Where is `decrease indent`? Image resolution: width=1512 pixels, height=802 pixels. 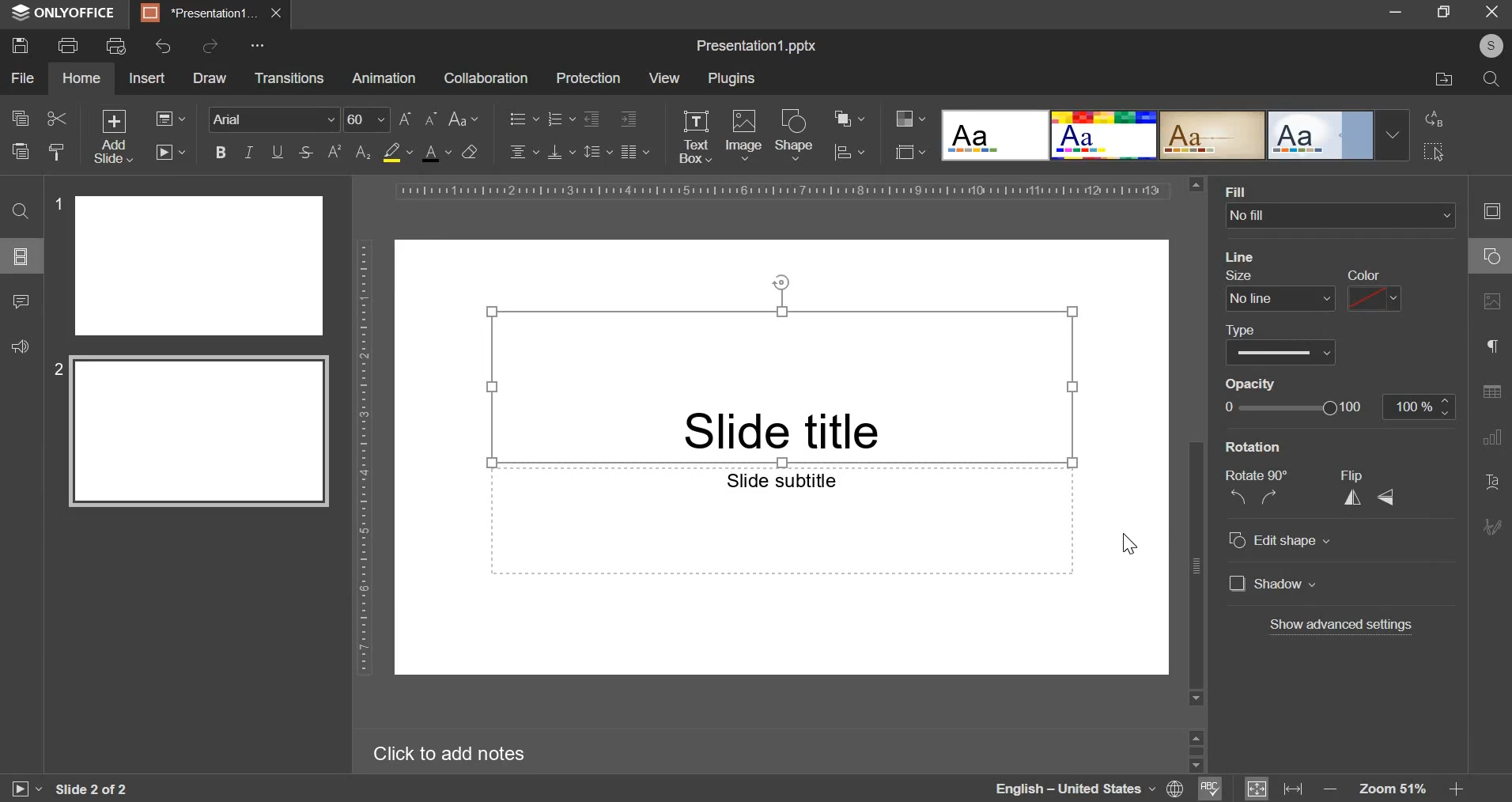 decrease indent is located at coordinates (591, 119).